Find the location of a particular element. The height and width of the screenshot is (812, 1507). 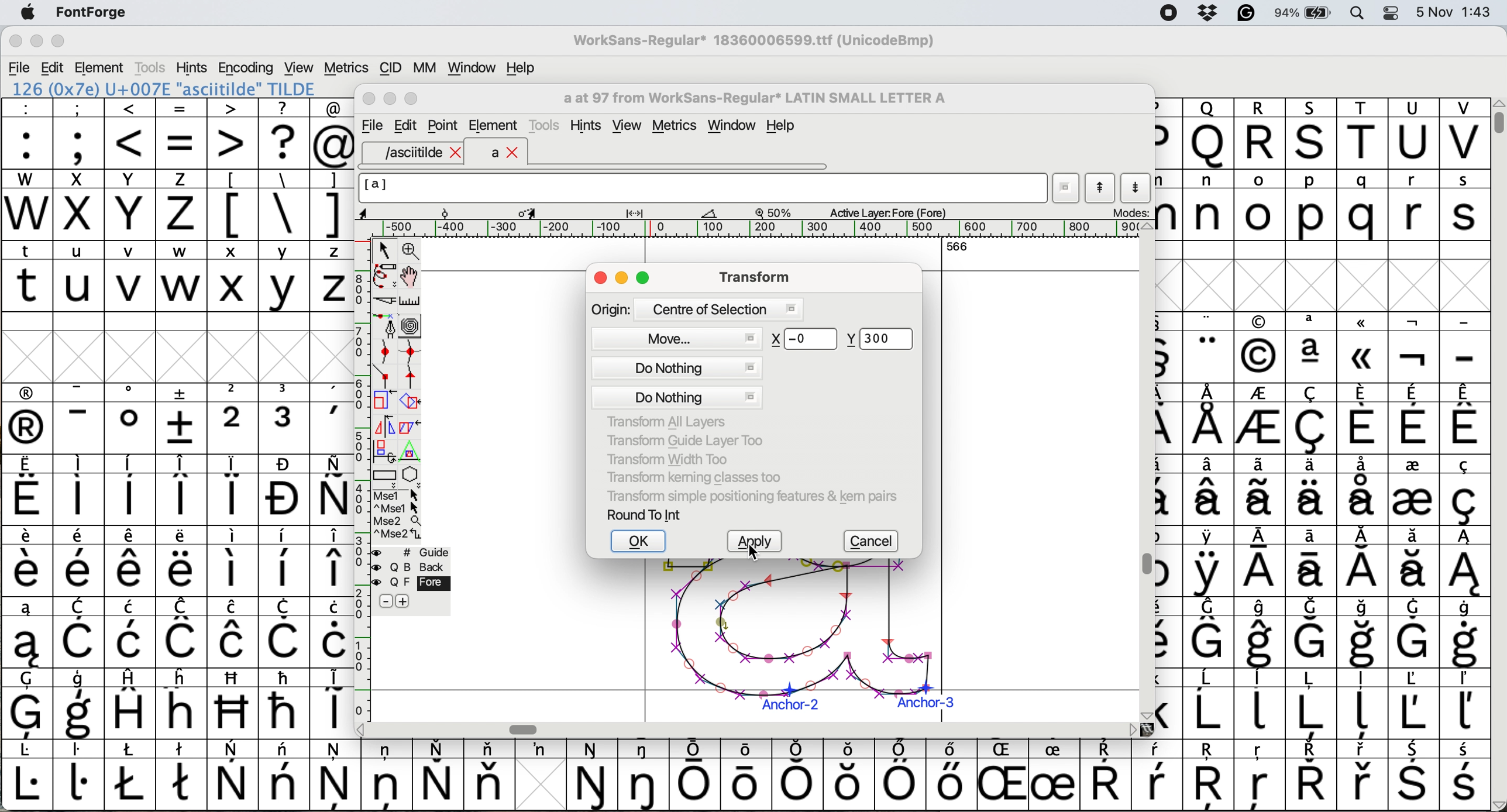

> is located at coordinates (233, 133).